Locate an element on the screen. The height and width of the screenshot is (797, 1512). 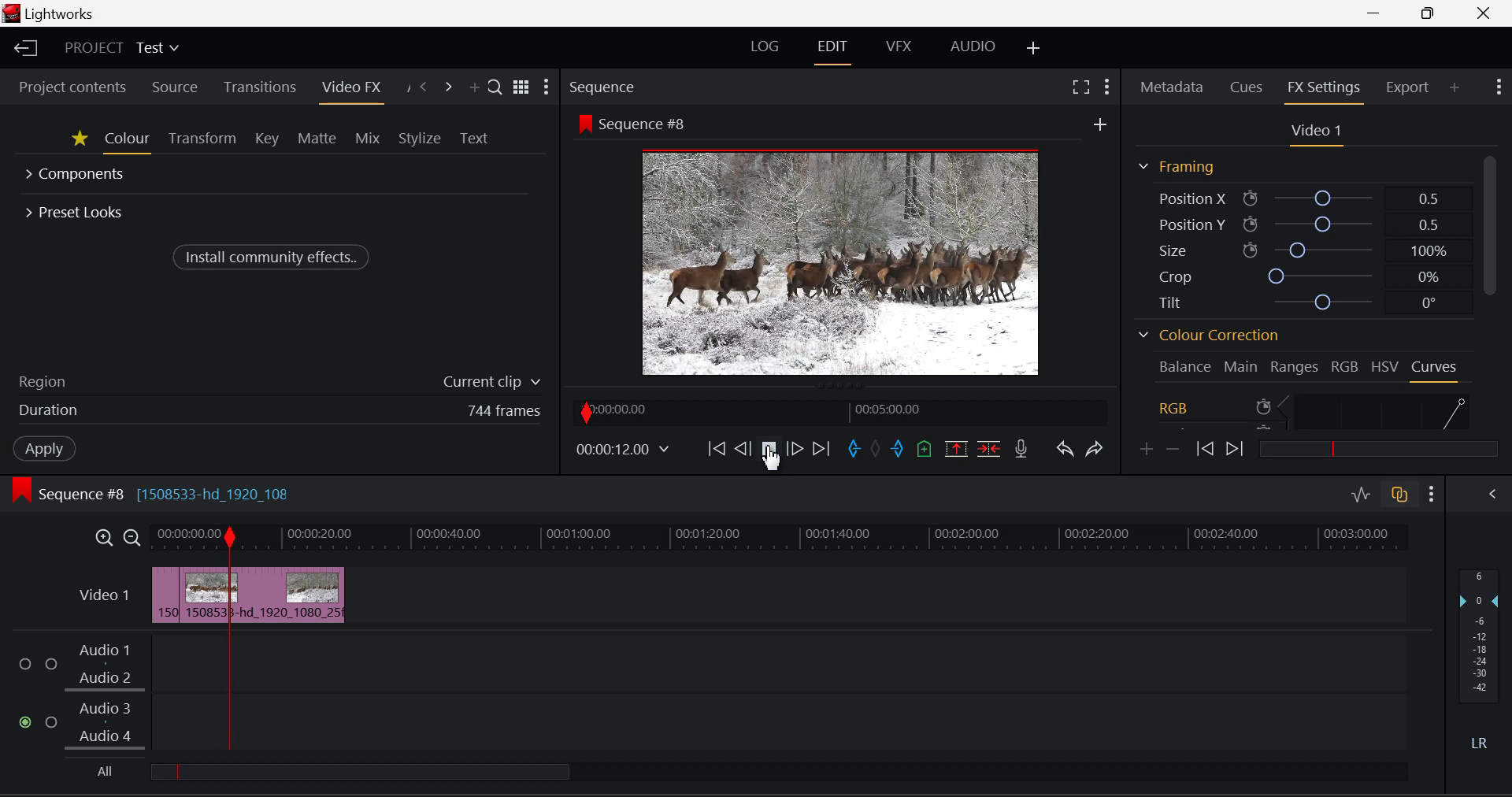
Crop is located at coordinates (1296, 275).